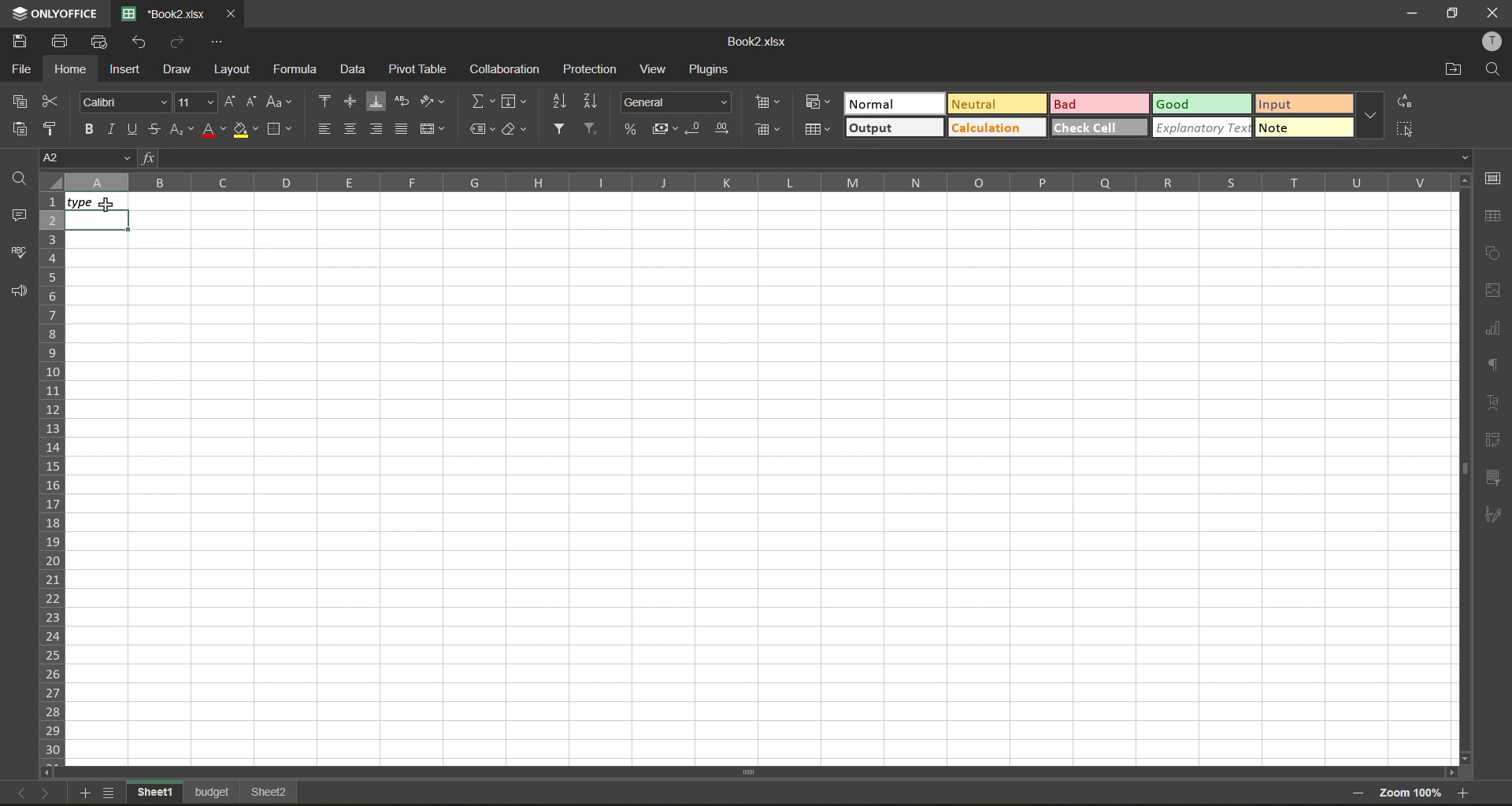 The height and width of the screenshot is (806, 1512). I want to click on copy, so click(28, 102).